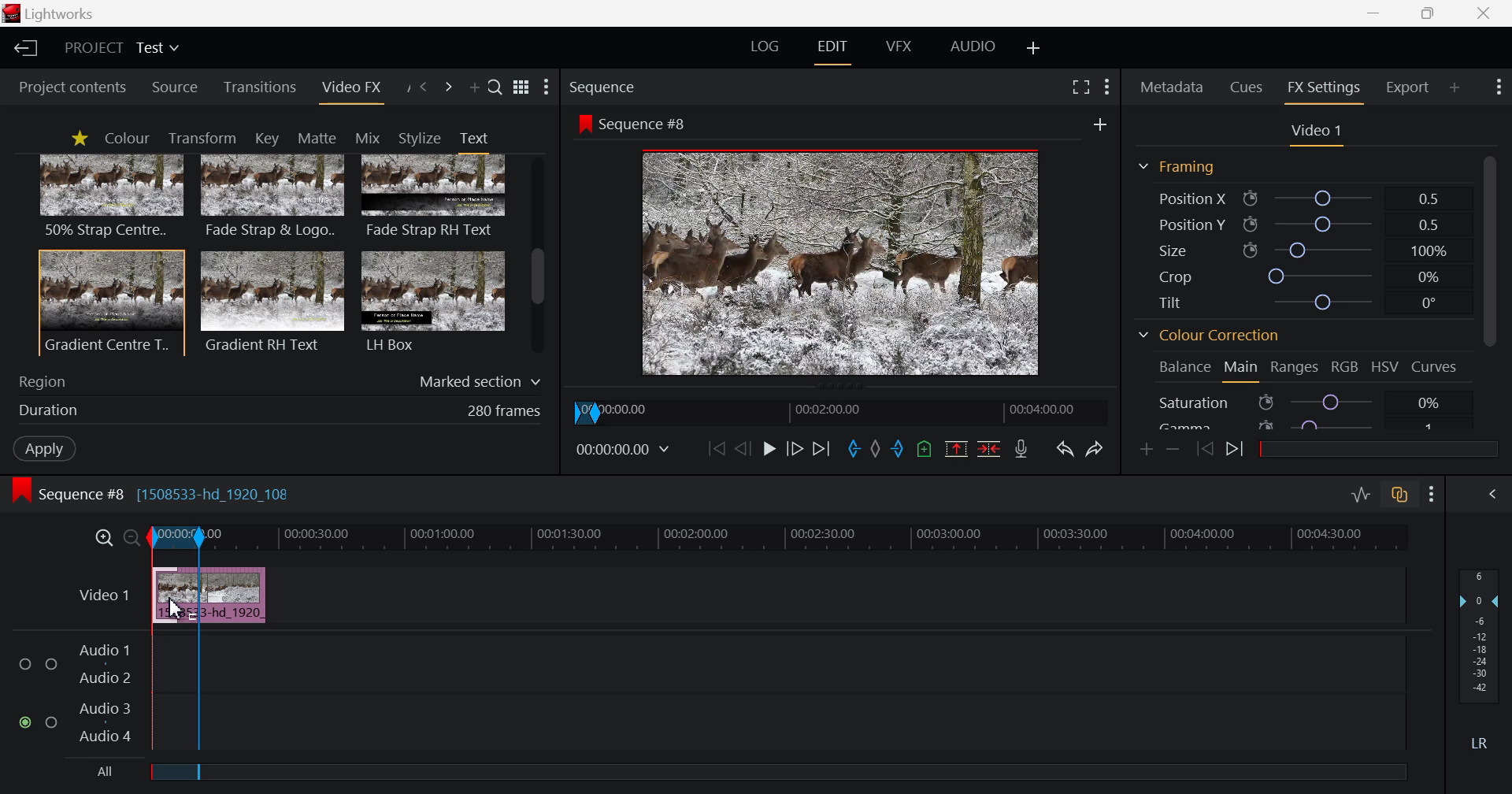  What do you see at coordinates (424, 86) in the screenshot?
I see `Previous Panel` at bounding box center [424, 86].